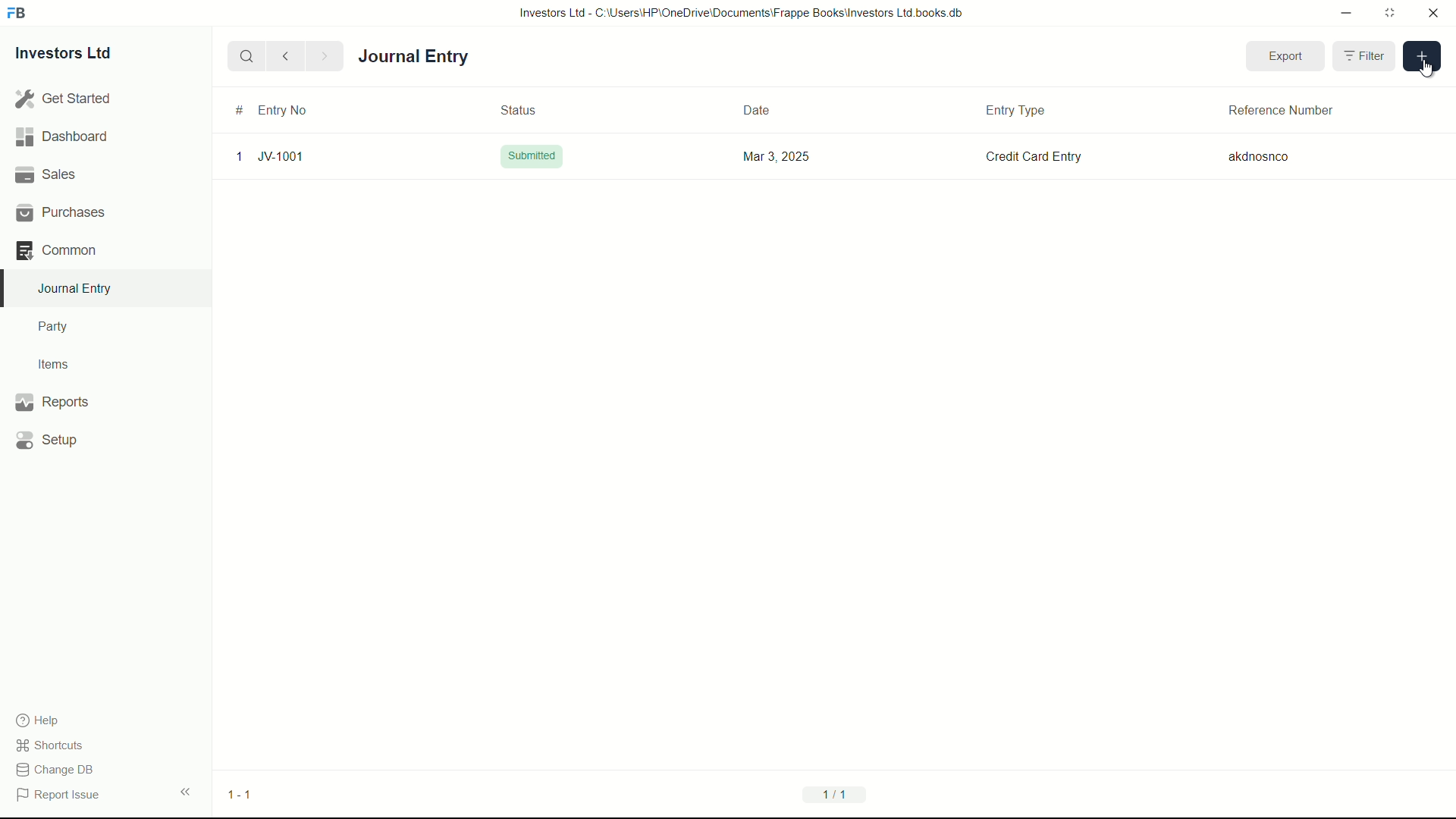  What do you see at coordinates (284, 56) in the screenshot?
I see `previous` at bounding box center [284, 56].